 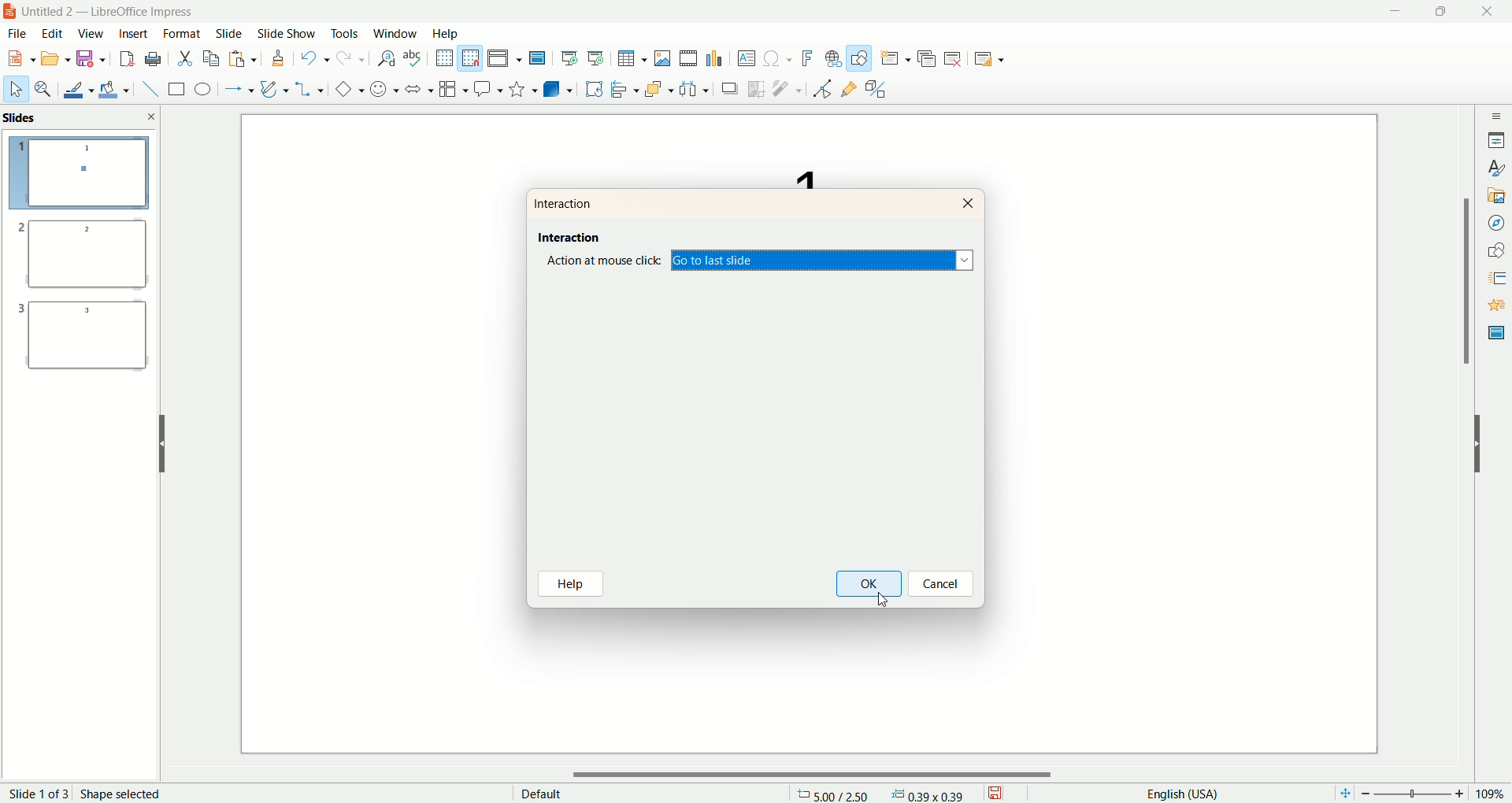 I want to click on new slide, so click(x=895, y=57).